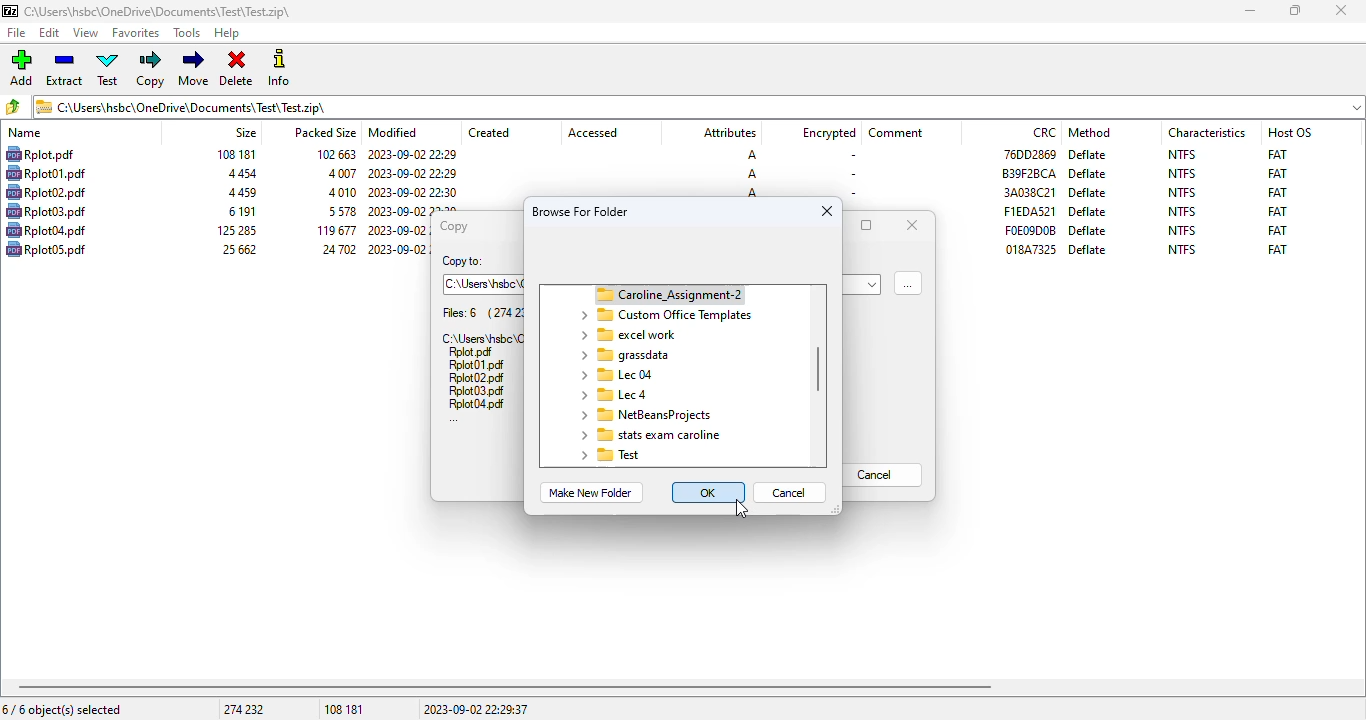 The width and height of the screenshot is (1366, 720). Describe the element at coordinates (883, 475) in the screenshot. I see `cancel` at that location.